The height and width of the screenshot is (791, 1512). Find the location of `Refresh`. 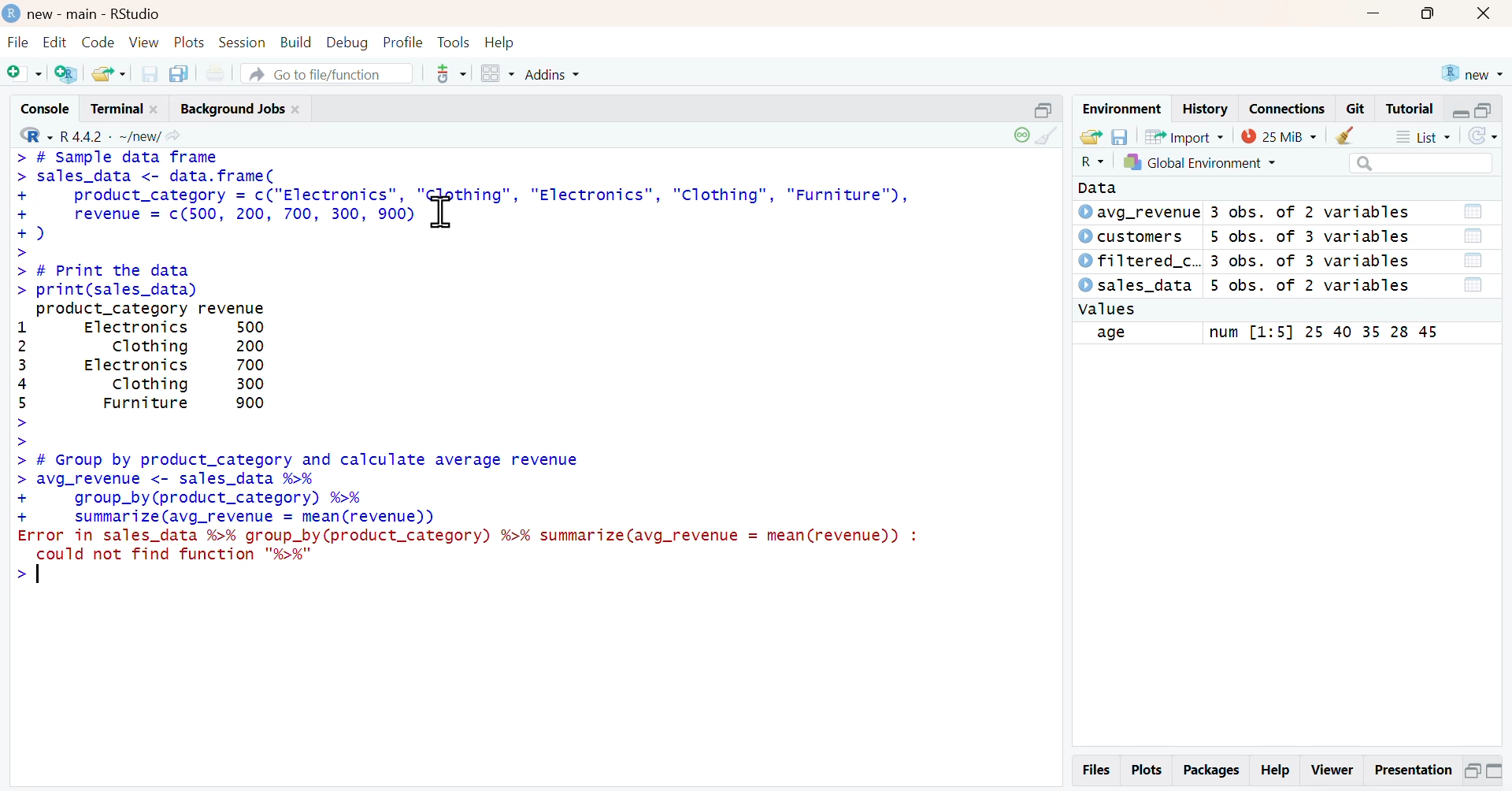

Refresh is located at coordinates (1482, 136).